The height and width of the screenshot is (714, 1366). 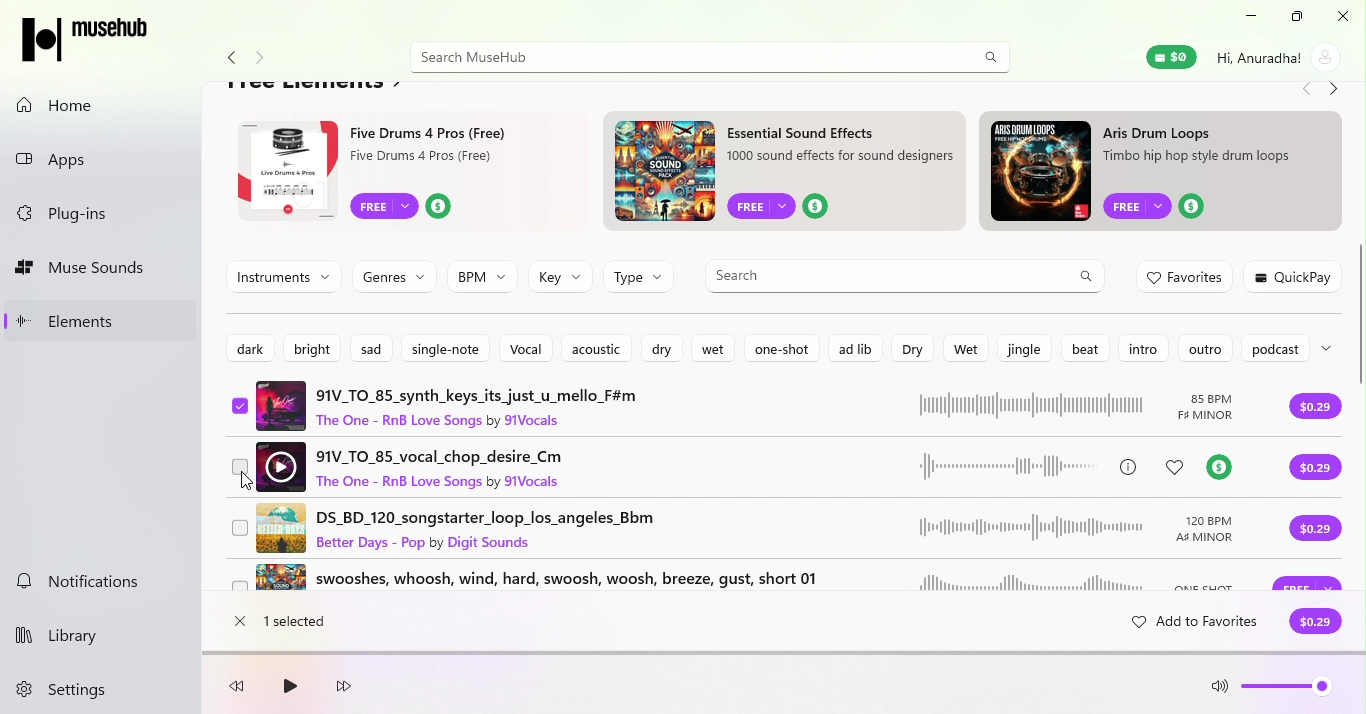 What do you see at coordinates (781, 348) in the screenshot?
I see `One shot` at bounding box center [781, 348].